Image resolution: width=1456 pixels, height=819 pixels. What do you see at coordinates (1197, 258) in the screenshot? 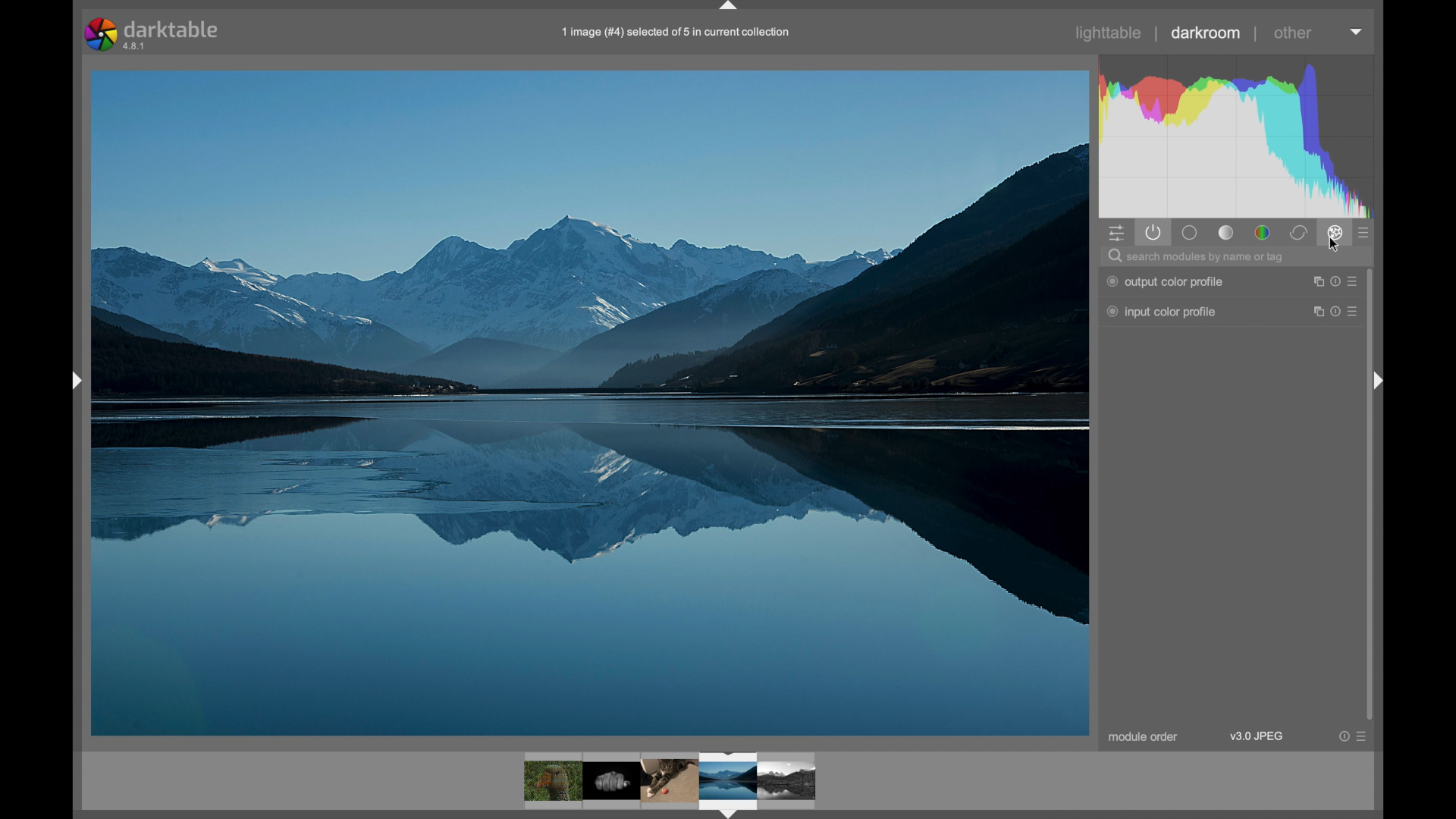
I see `search` at bounding box center [1197, 258].